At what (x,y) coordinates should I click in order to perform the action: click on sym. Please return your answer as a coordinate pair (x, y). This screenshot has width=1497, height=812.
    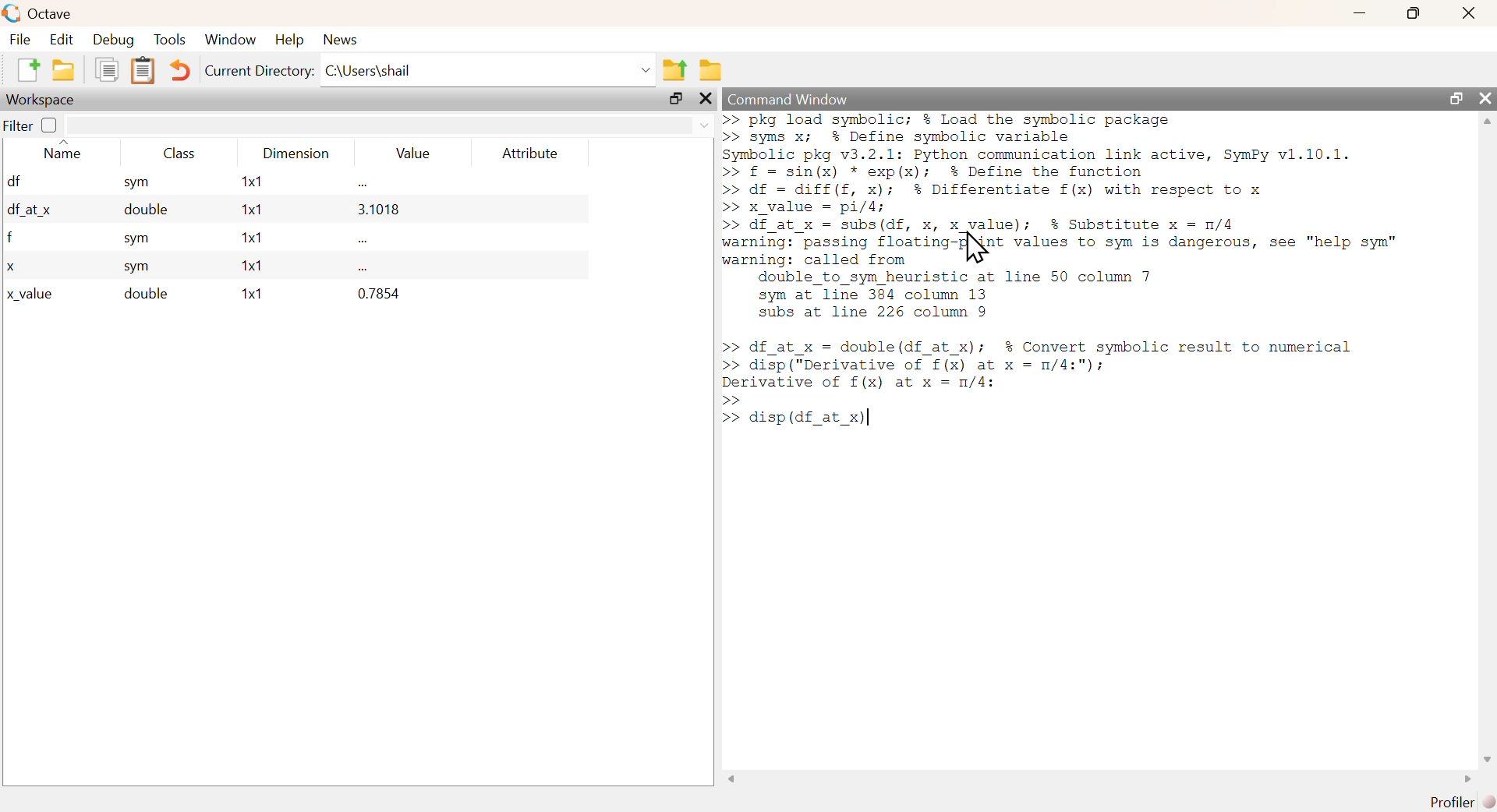
    Looking at the image, I should click on (136, 183).